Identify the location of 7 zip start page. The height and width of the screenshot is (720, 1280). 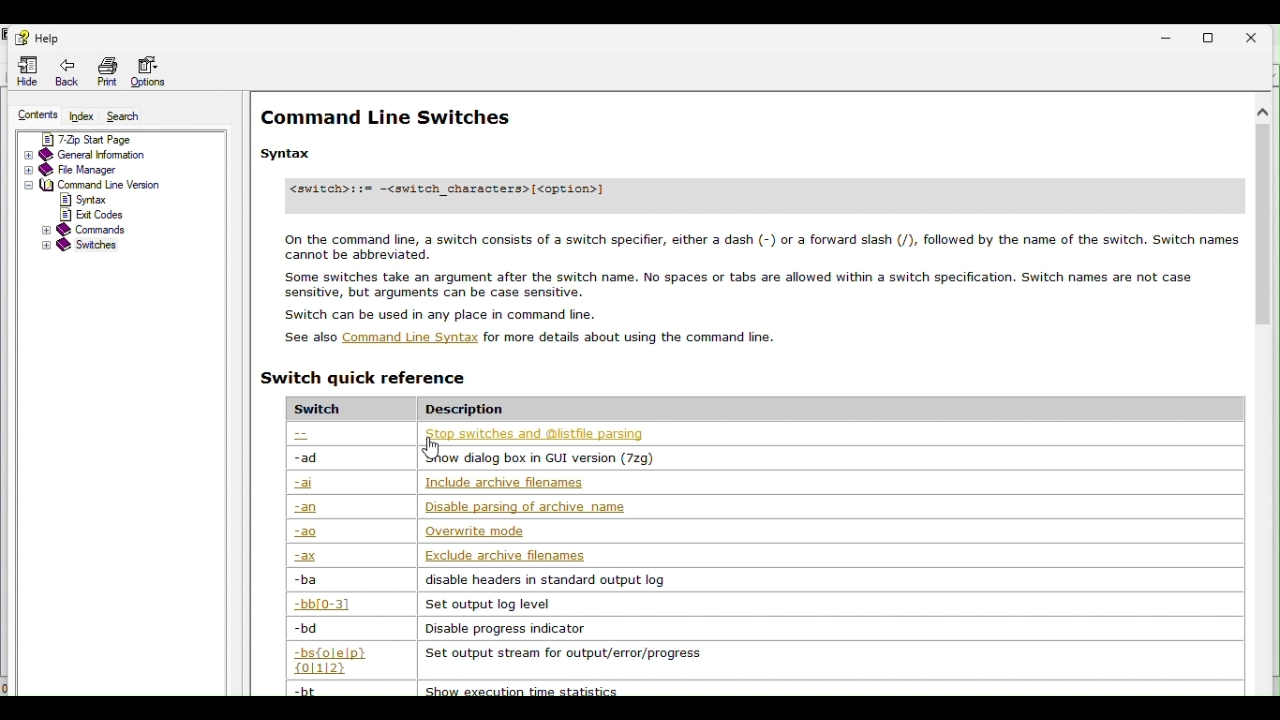
(122, 139).